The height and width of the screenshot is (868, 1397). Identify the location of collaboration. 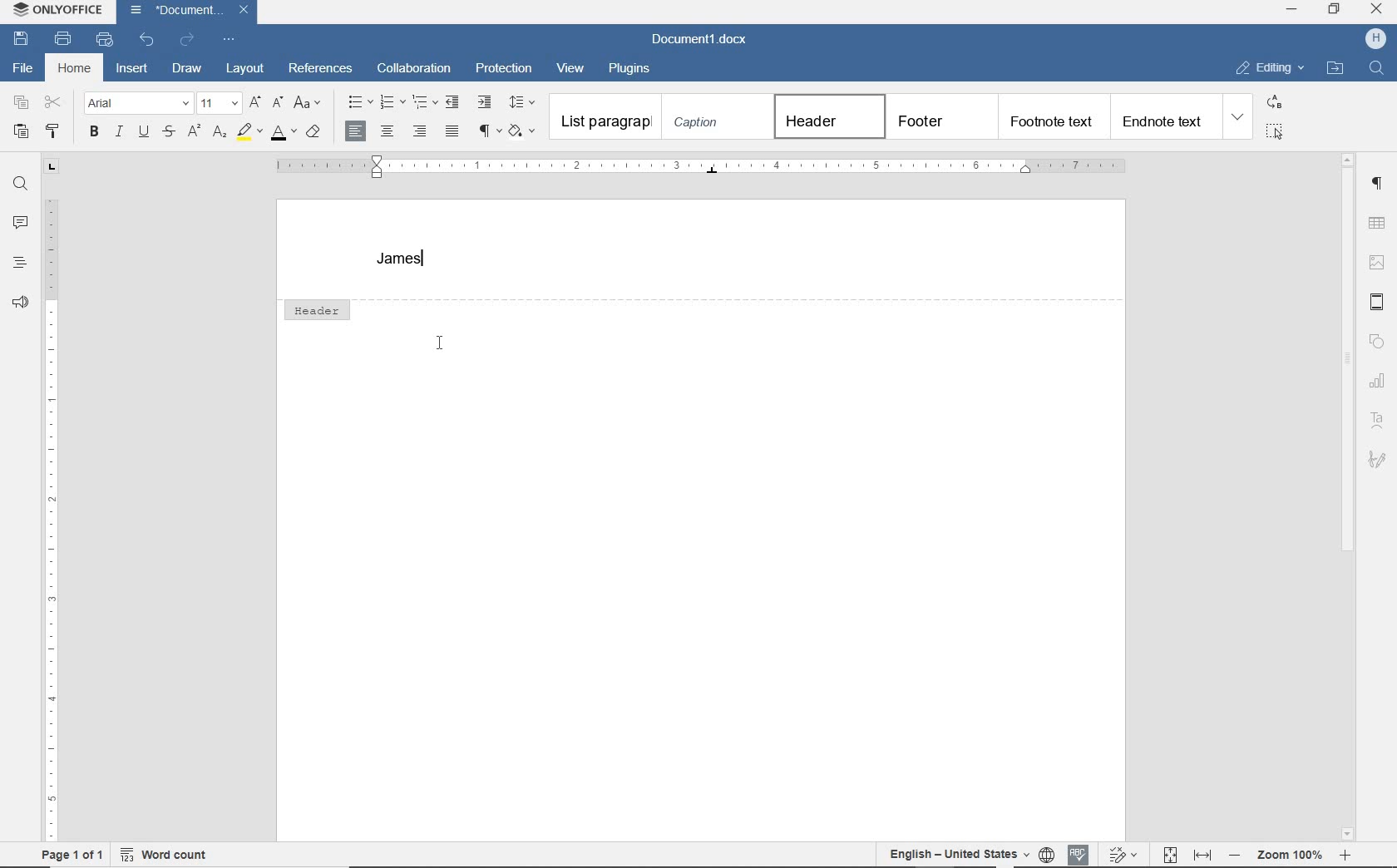
(416, 68).